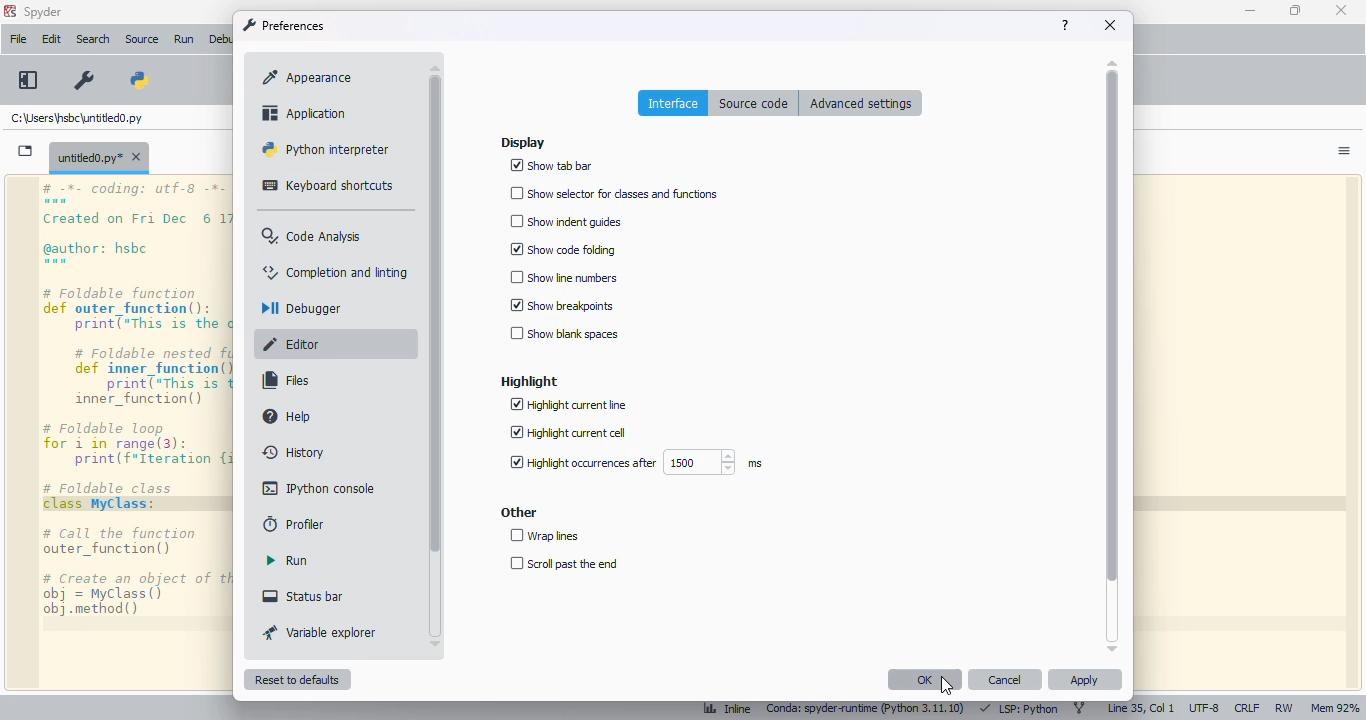  What do you see at coordinates (1111, 25) in the screenshot?
I see `close` at bounding box center [1111, 25].